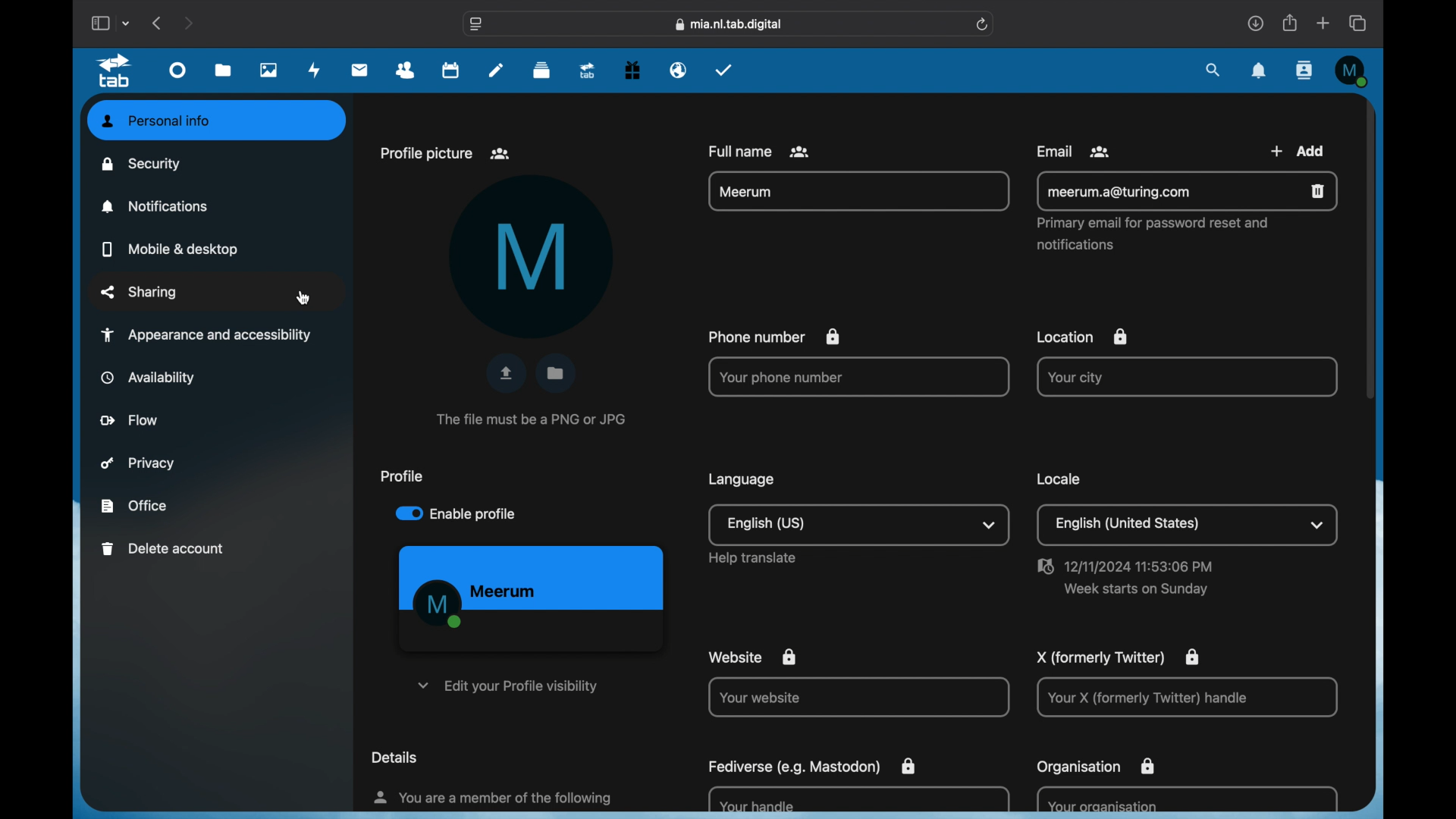  I want to click on search, so click(1214, 71).